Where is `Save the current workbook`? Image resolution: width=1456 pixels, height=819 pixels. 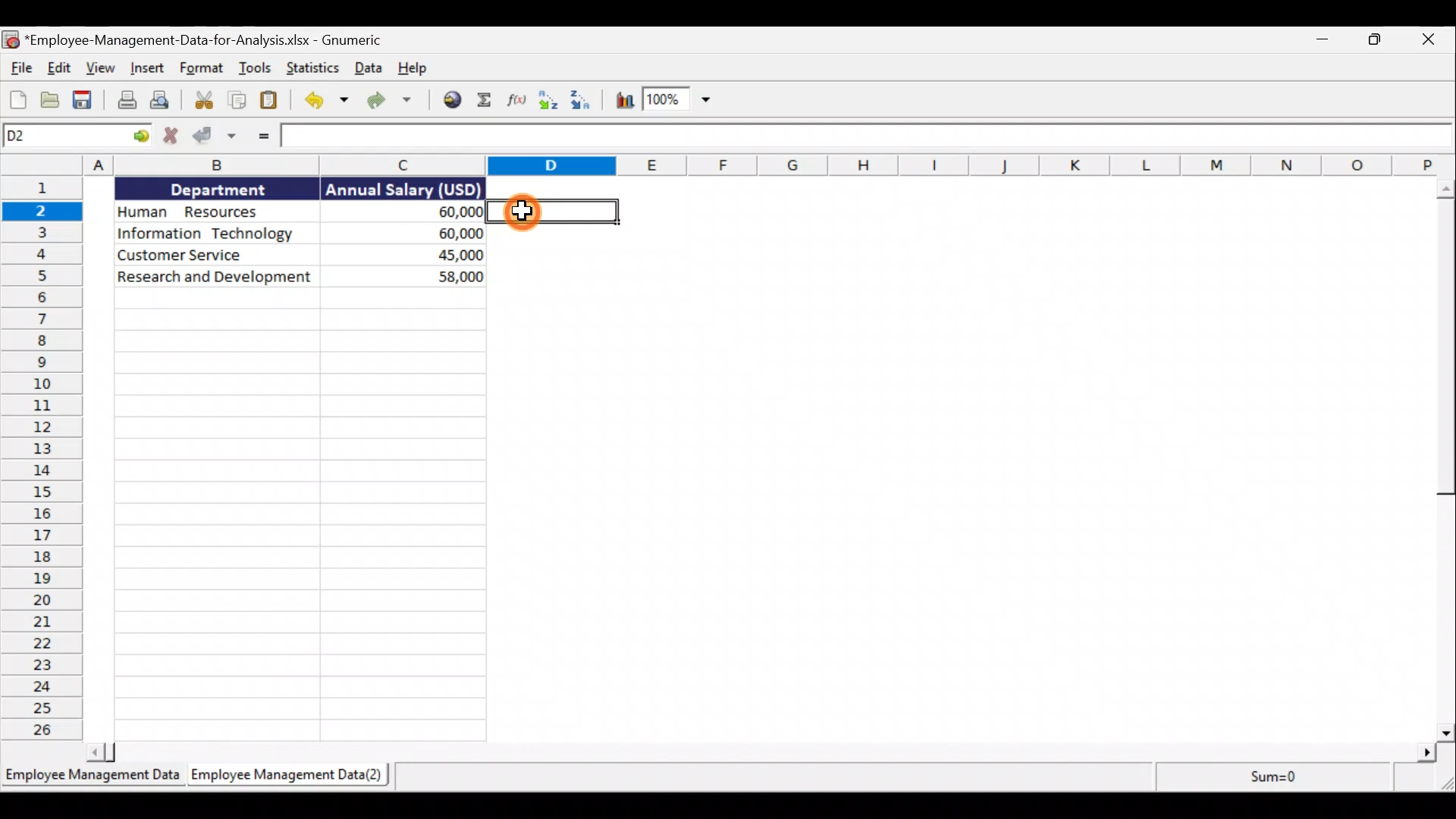
Save the current workbook is located at coordinates (83, 100).